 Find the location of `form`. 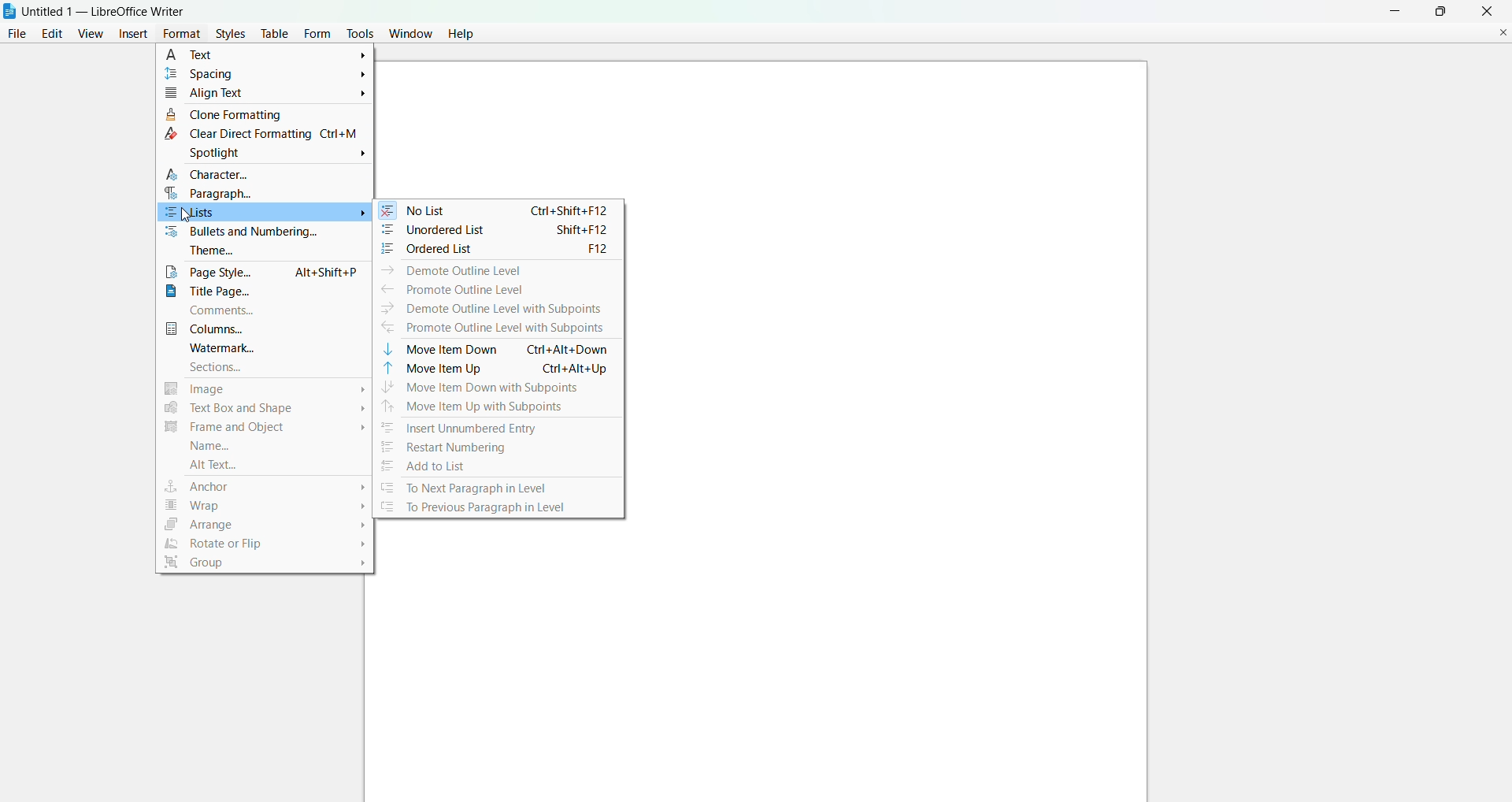

form is located at coordinates (320, 31).